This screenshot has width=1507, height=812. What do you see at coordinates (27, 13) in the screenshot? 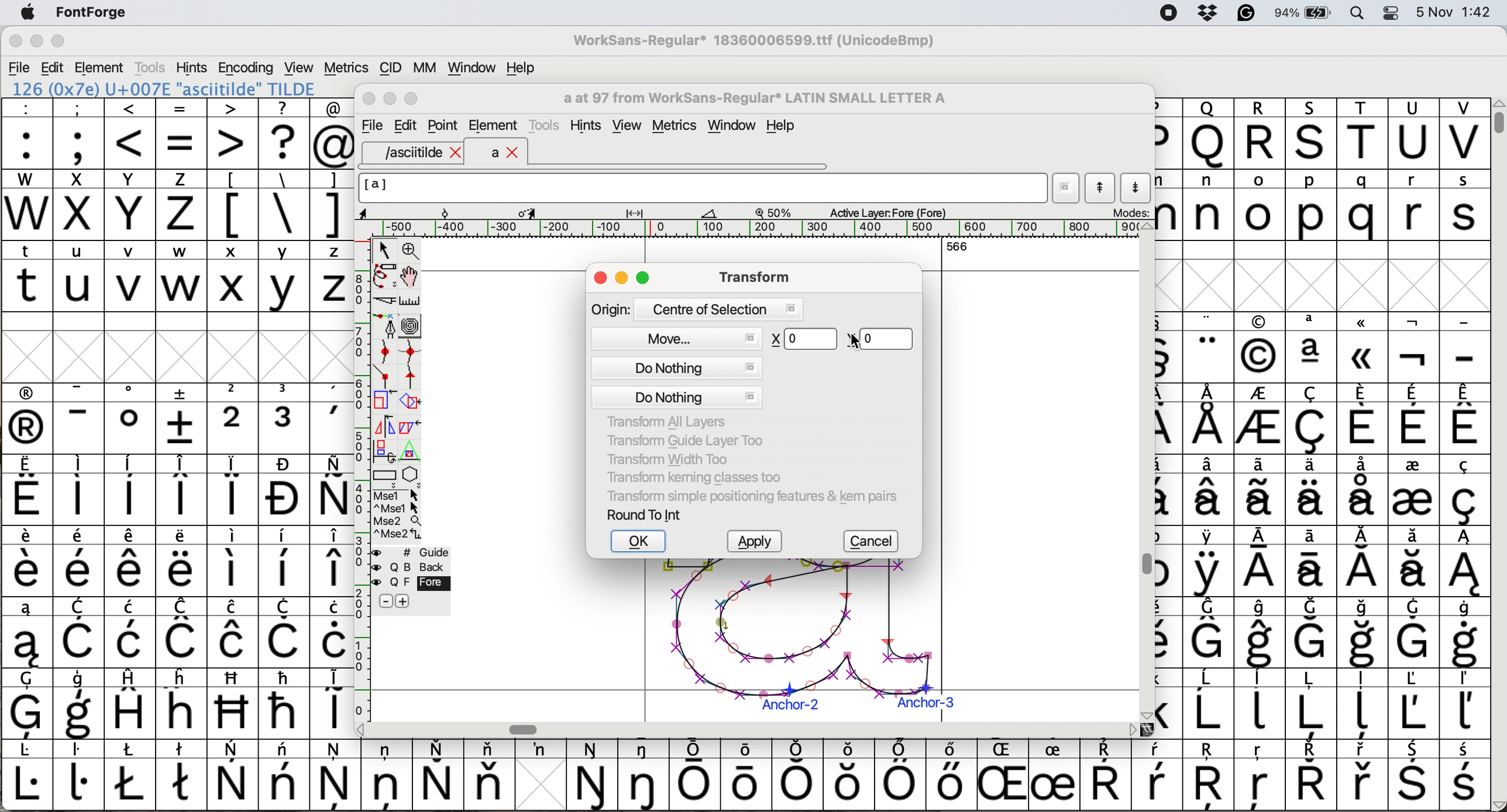
I see `system logo` at bounding box center [27, 13].